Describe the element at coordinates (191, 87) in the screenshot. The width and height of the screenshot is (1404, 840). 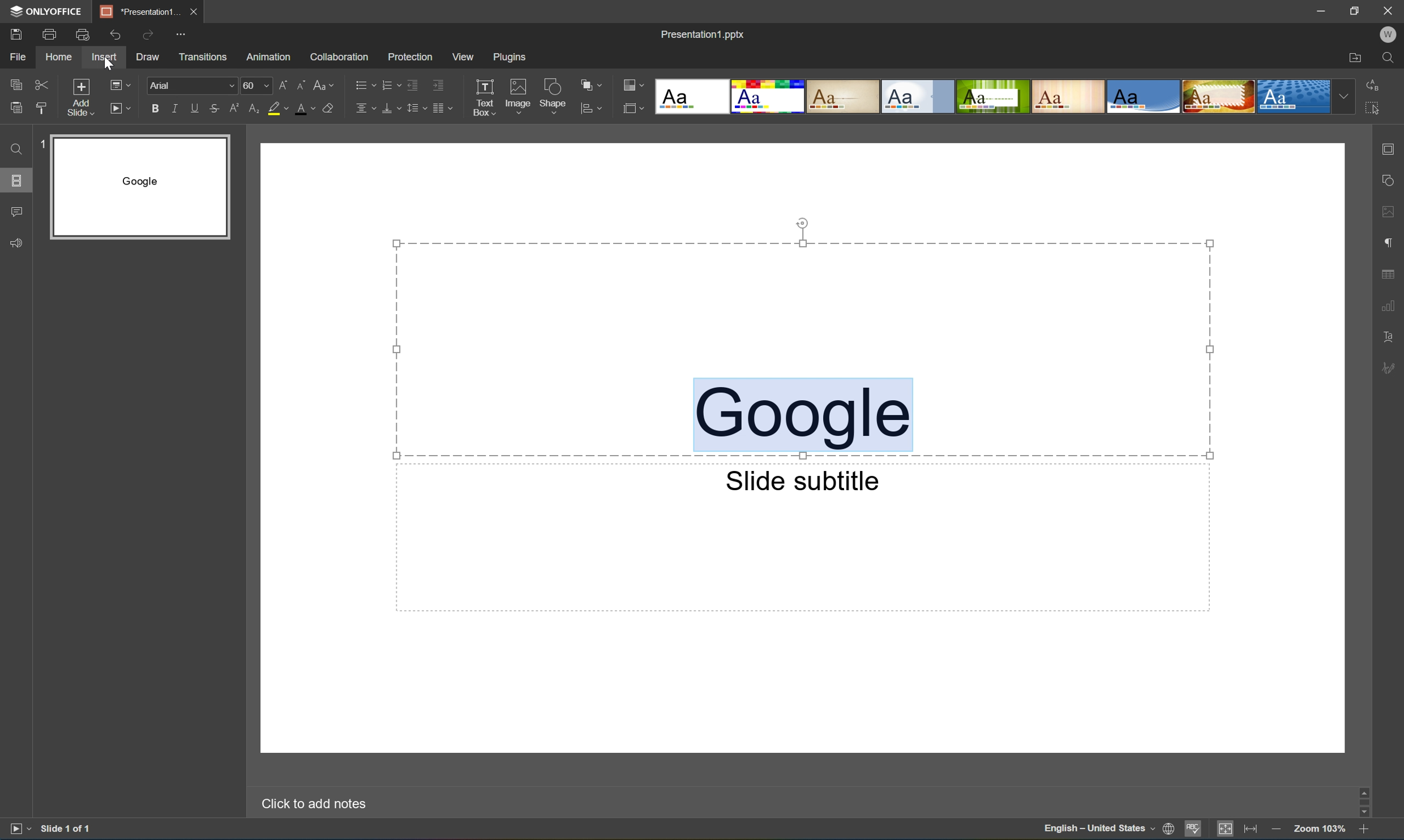
I see `Arial` at that location.